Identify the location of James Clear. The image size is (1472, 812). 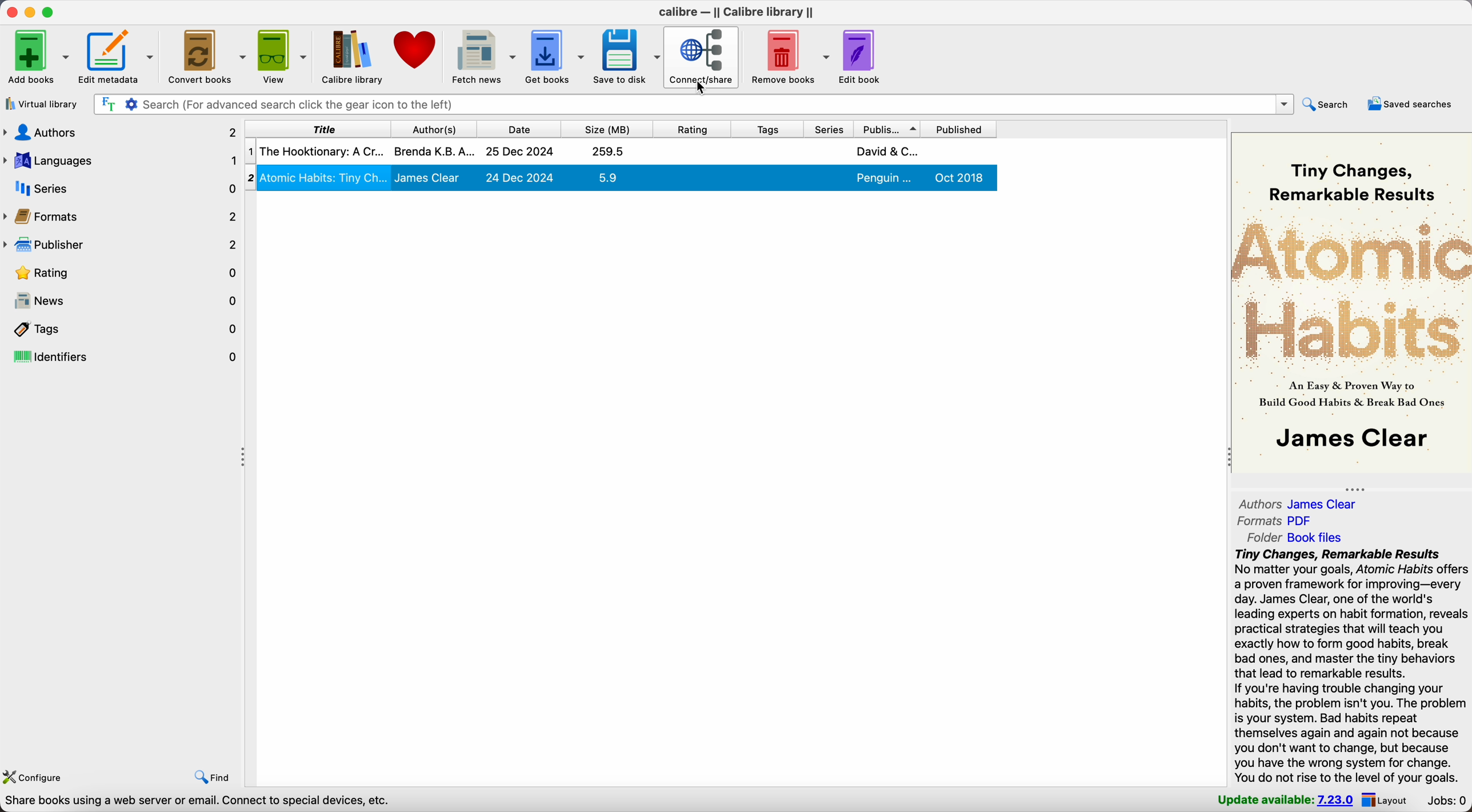
(428, 178).